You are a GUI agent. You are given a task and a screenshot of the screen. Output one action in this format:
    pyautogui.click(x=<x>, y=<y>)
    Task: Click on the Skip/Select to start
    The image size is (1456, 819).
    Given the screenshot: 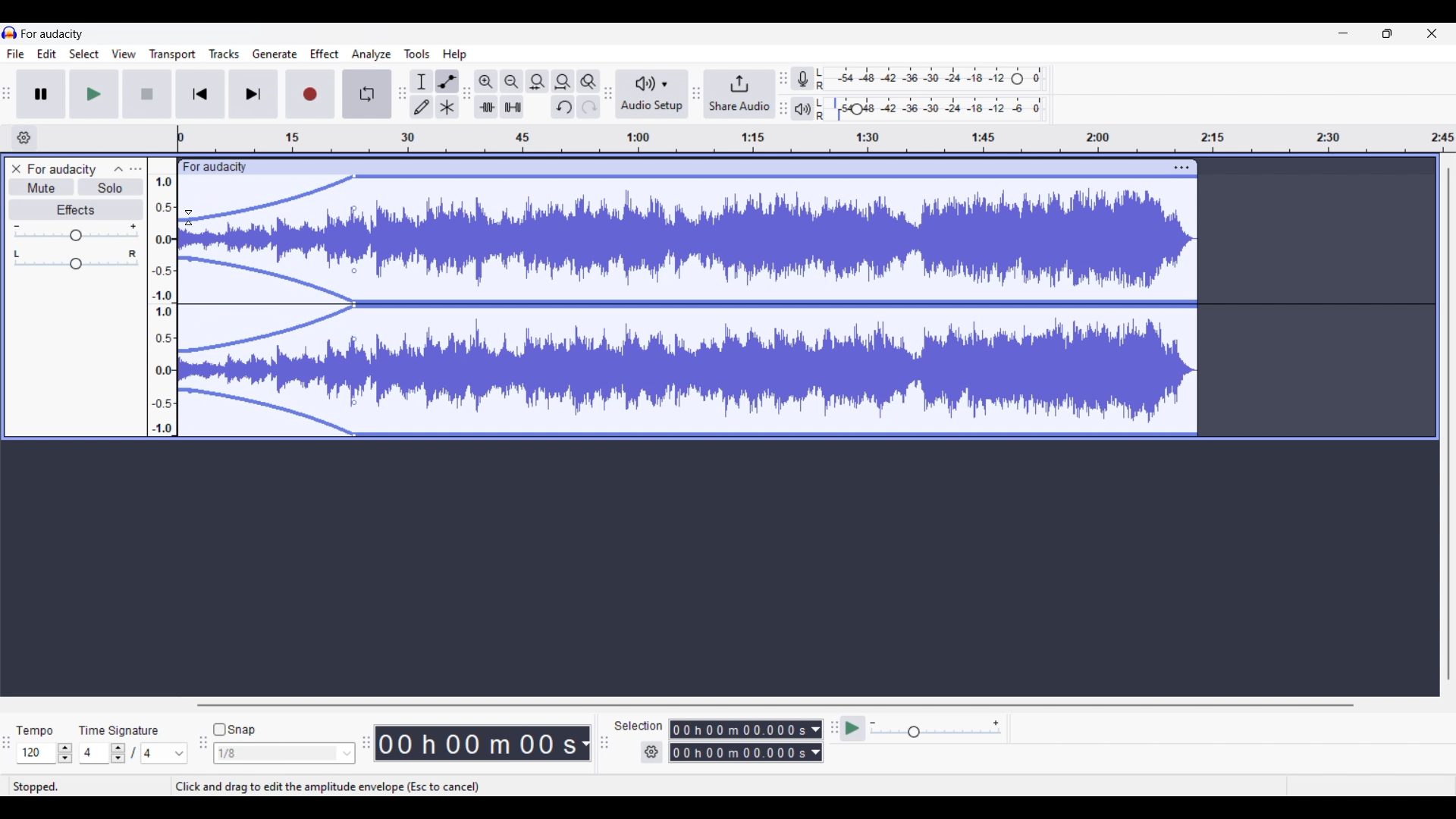 What is the action you would take?
    pyautogui.click(x=200, y=93)
    